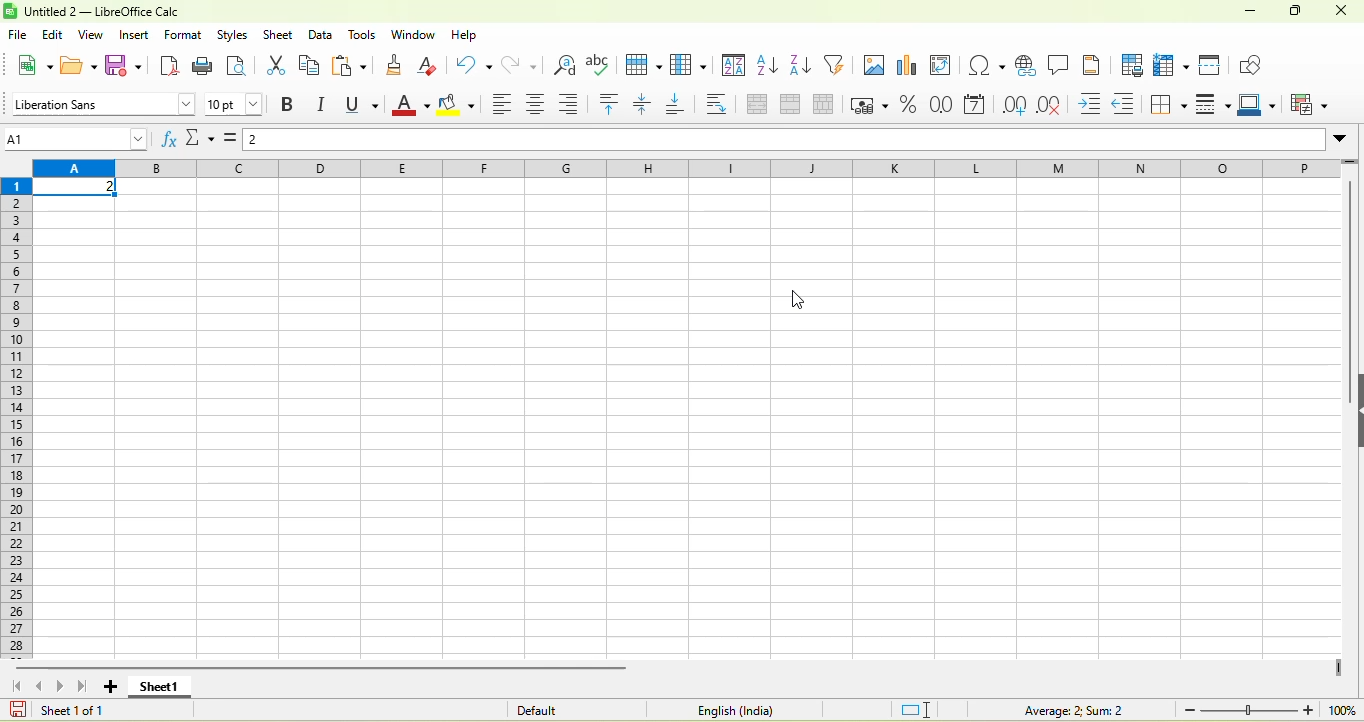 This screenshot has width=1364, height=722. Describe the element at coordinates (464, 34) in the screenshot. I see `help` at that location.